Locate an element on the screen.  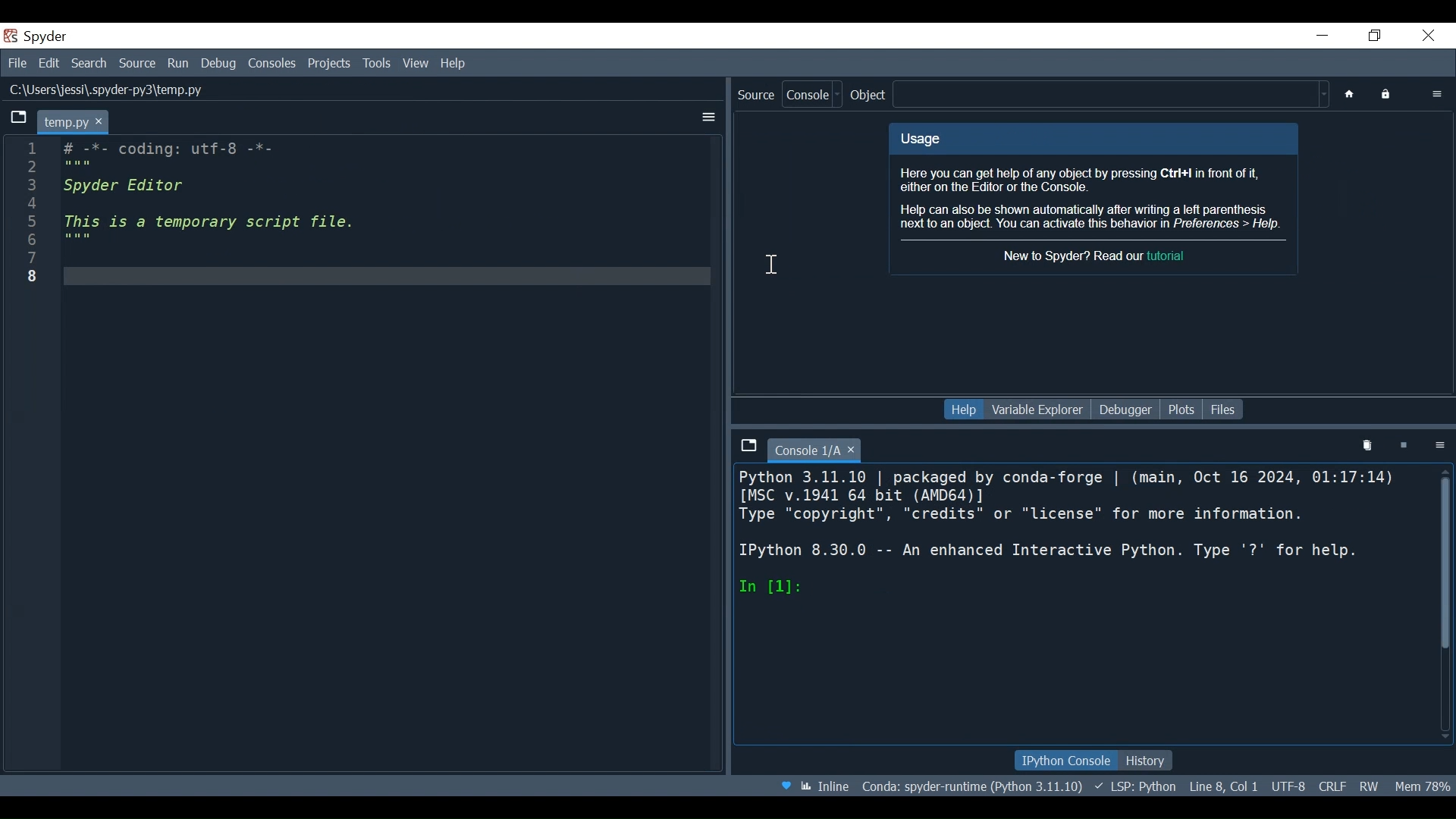
File Permissions is located at coordinates (1370, 787).